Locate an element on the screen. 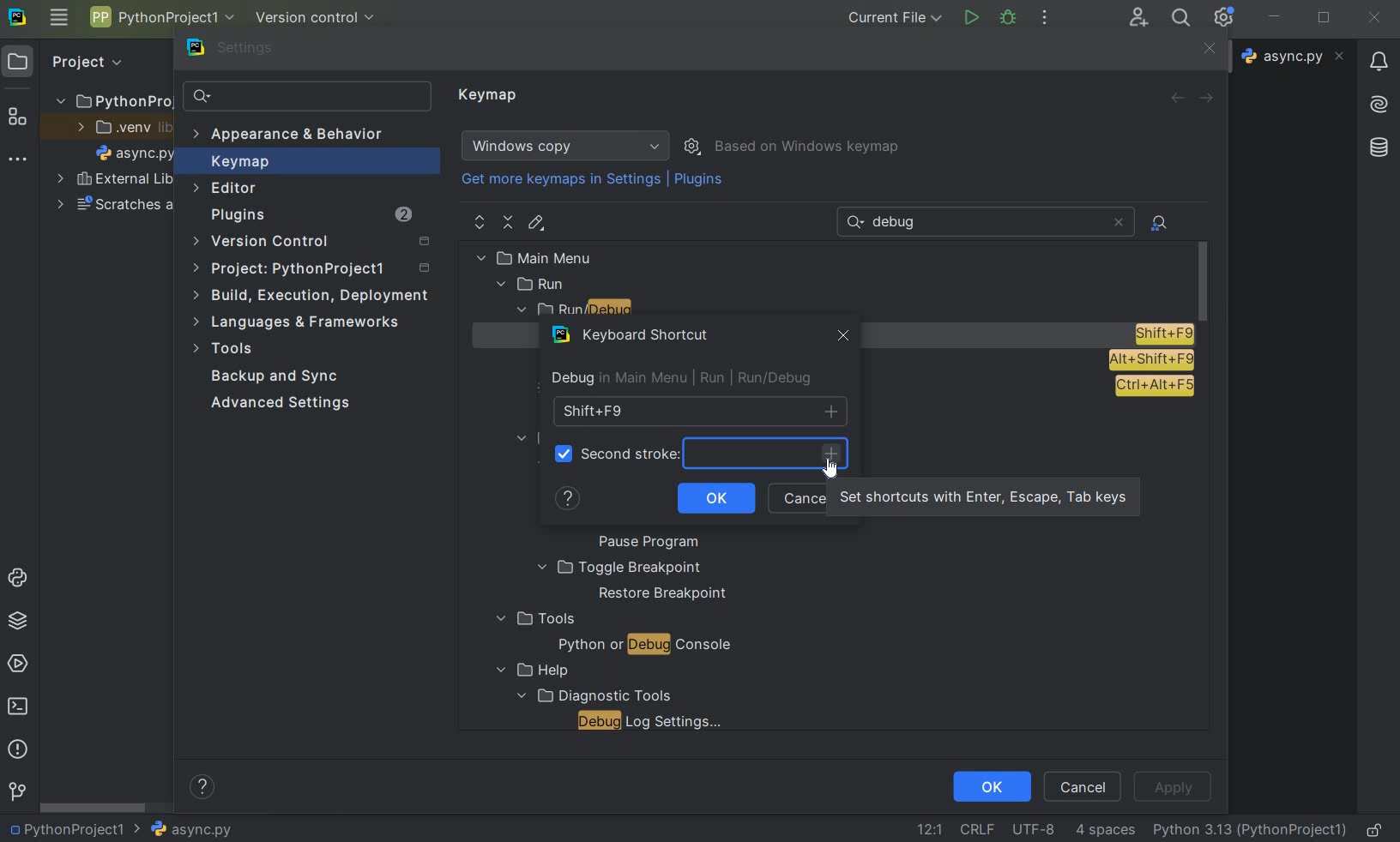 This screenshot has height=842, width=1400. python console is located at coordinates (21, 579).